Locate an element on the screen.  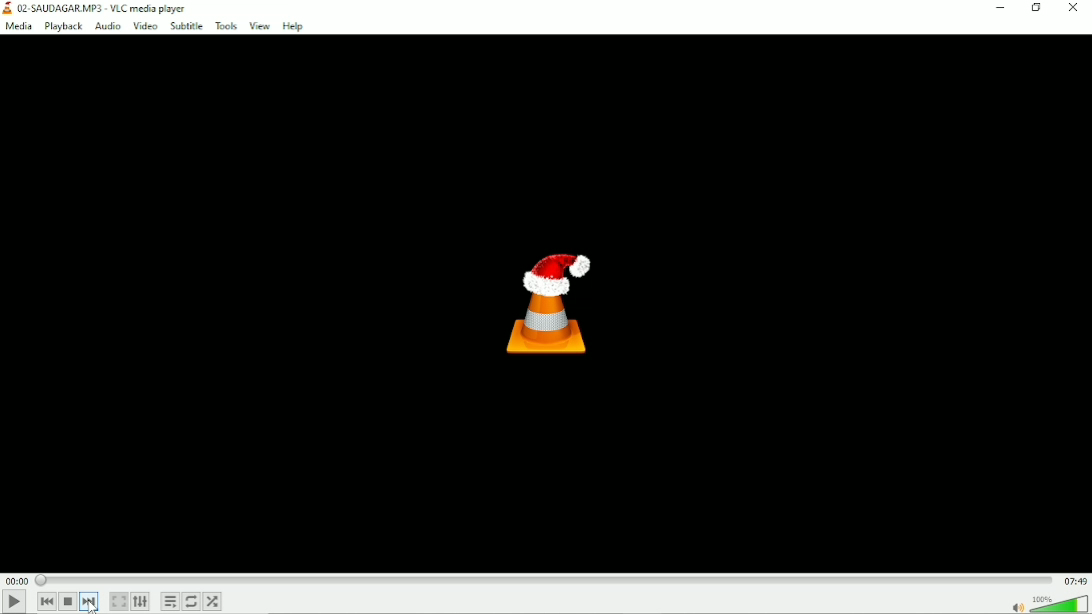
Click to toggle between loop all, loop one and no loop is located at coordinates (190, 601).